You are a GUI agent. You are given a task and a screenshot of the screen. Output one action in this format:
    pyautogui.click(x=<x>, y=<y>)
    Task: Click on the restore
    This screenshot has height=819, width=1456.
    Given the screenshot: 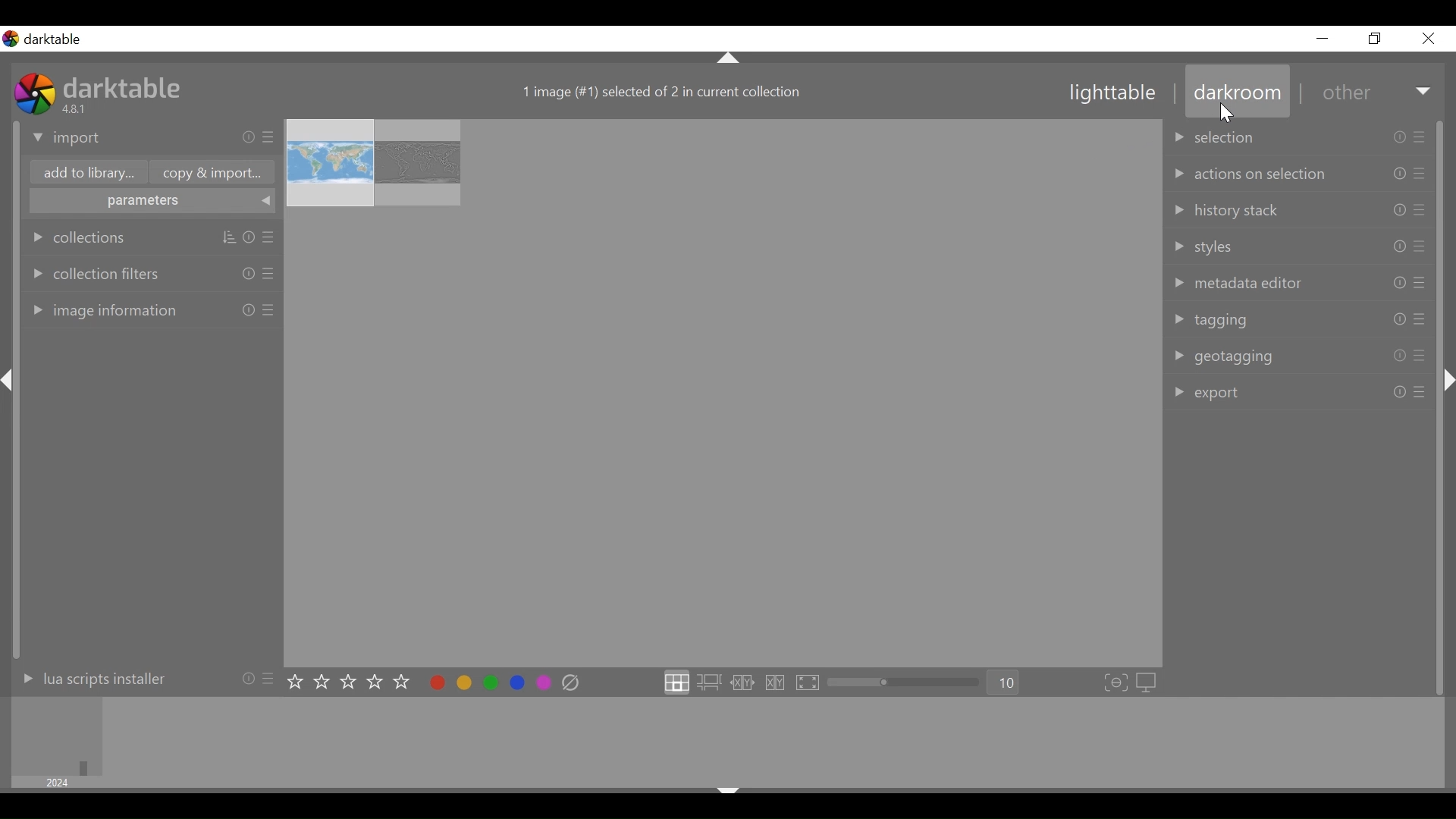 What is the action you would take?
    pyautogui.click(x=1376, y=39)
    